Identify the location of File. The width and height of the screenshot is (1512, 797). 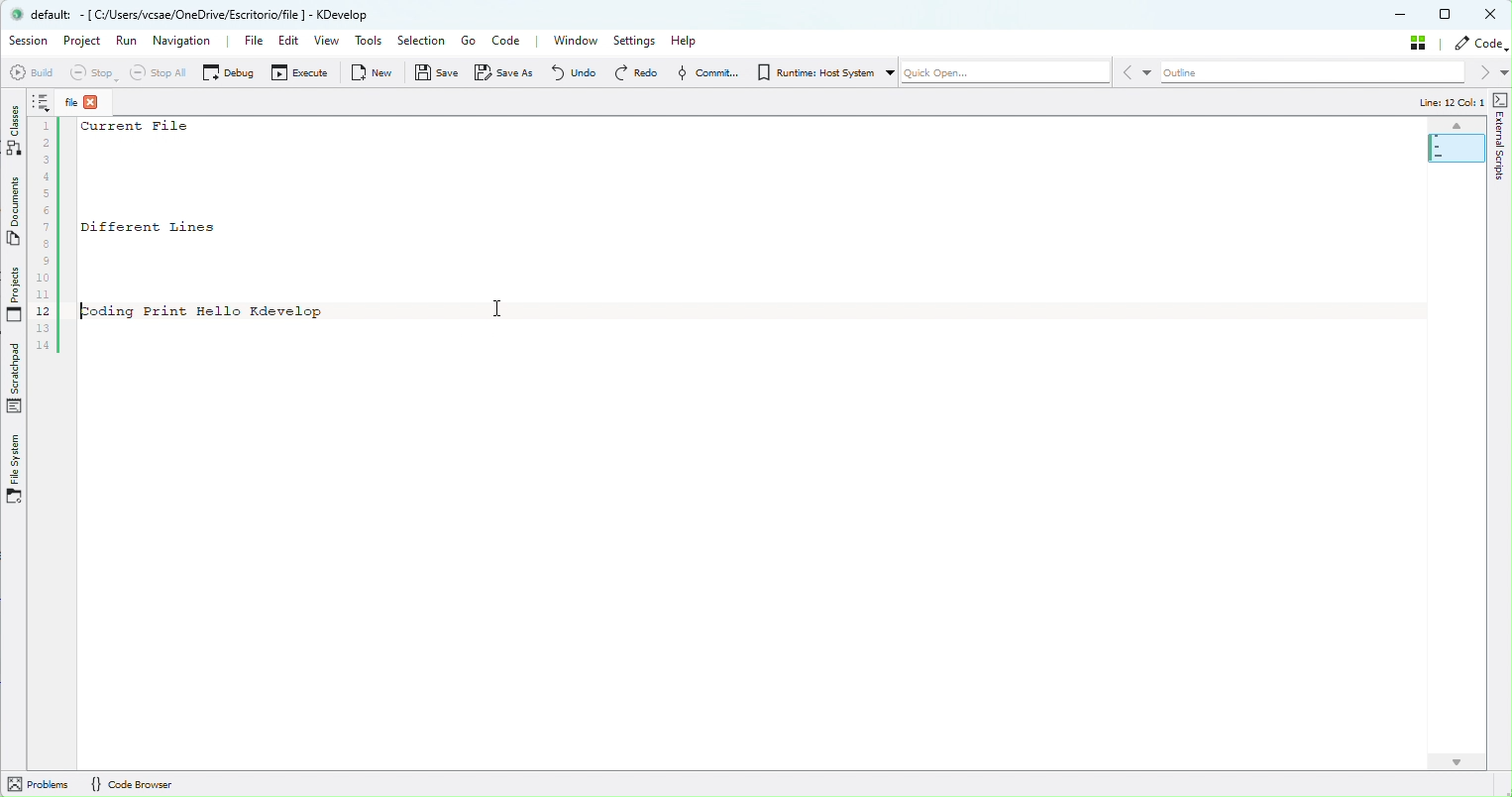
(89, 102).